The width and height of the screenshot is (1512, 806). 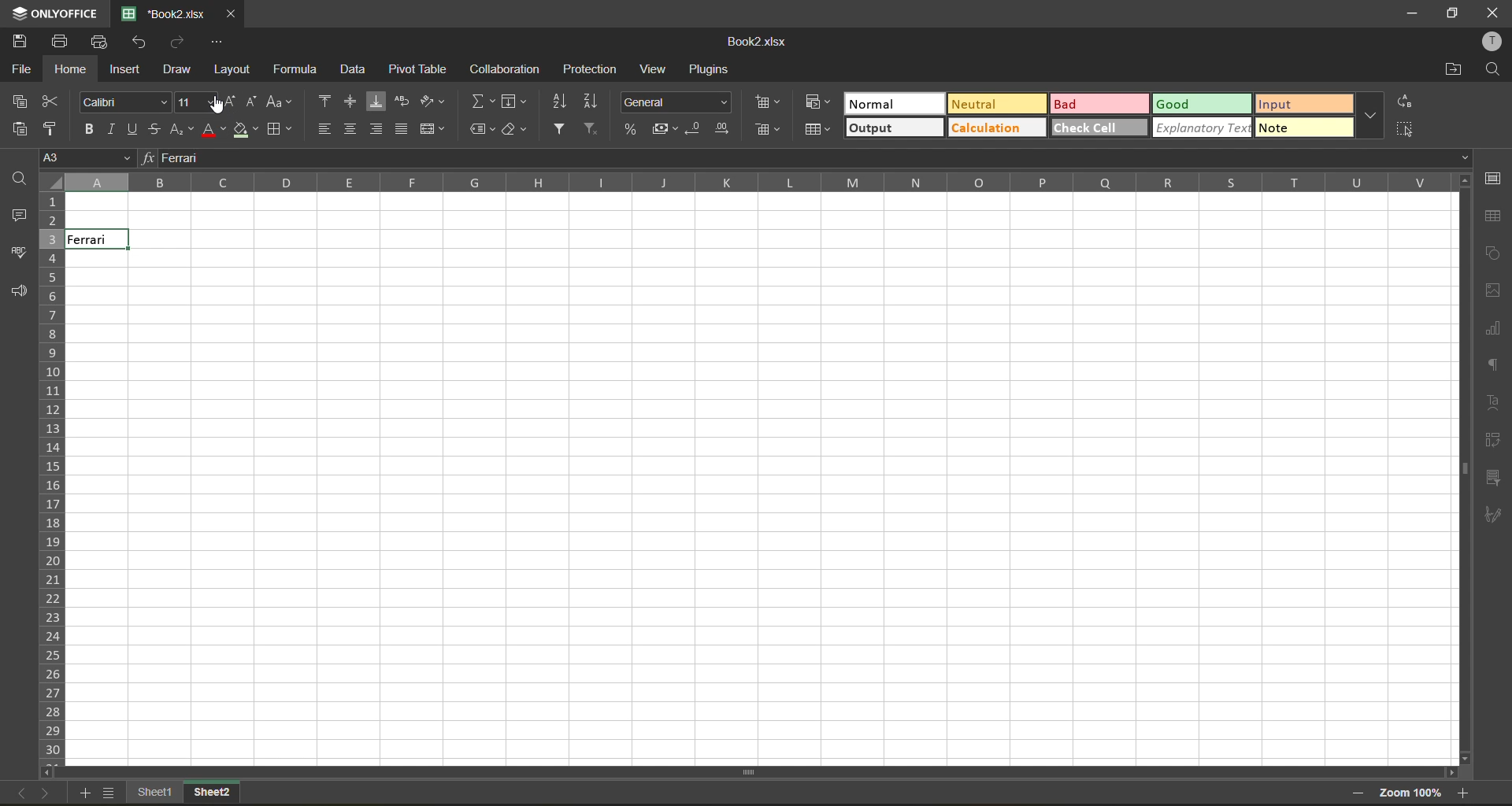 What do you see at coordinates (993, 104) in the screenshot?
I see `neutral` at bounding box center [993, 104].